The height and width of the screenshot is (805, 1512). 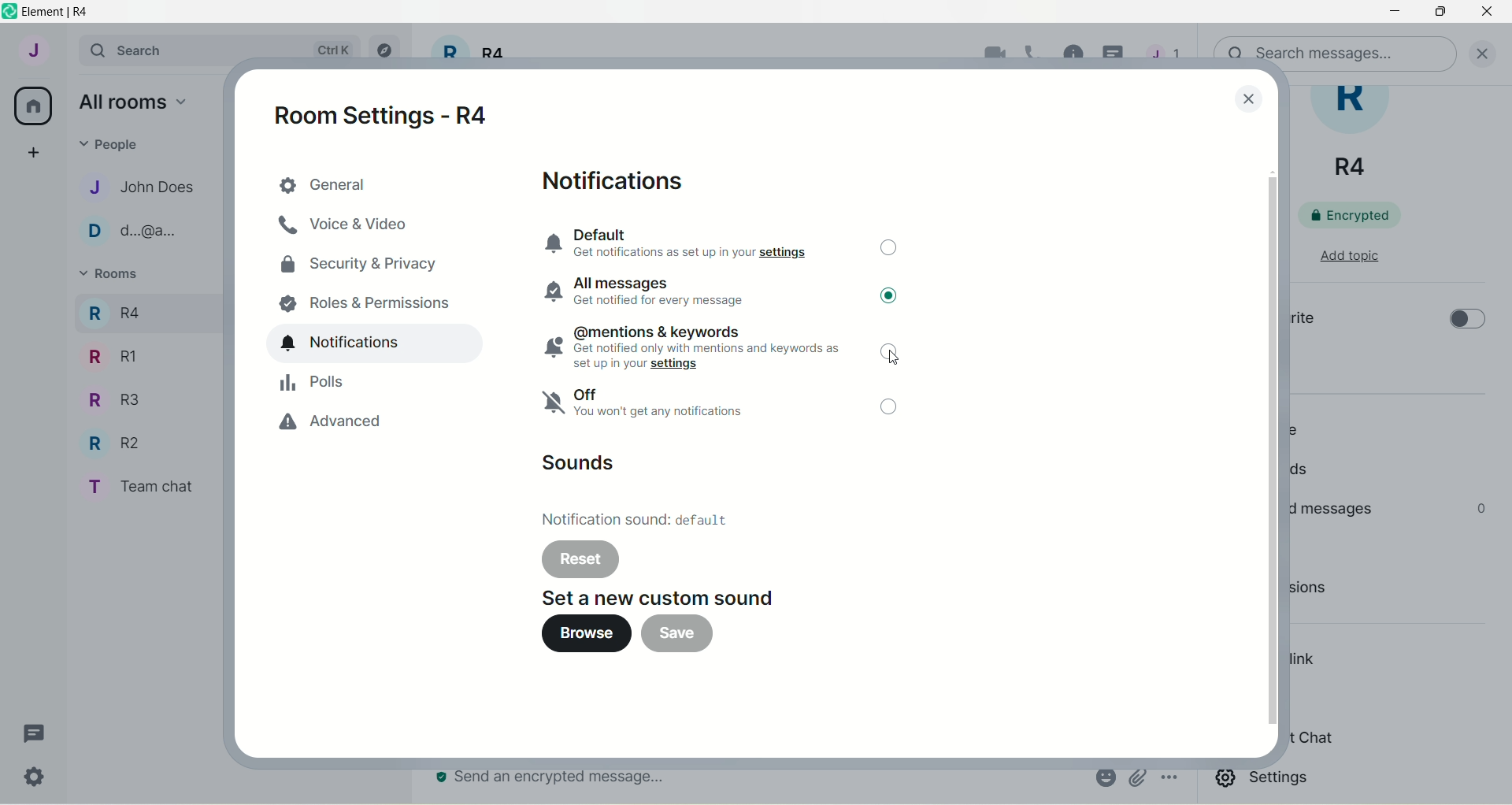 What do you see at coordinates (687, 637) in the screenshot?
I see `save` at bounding box center [687, 637].